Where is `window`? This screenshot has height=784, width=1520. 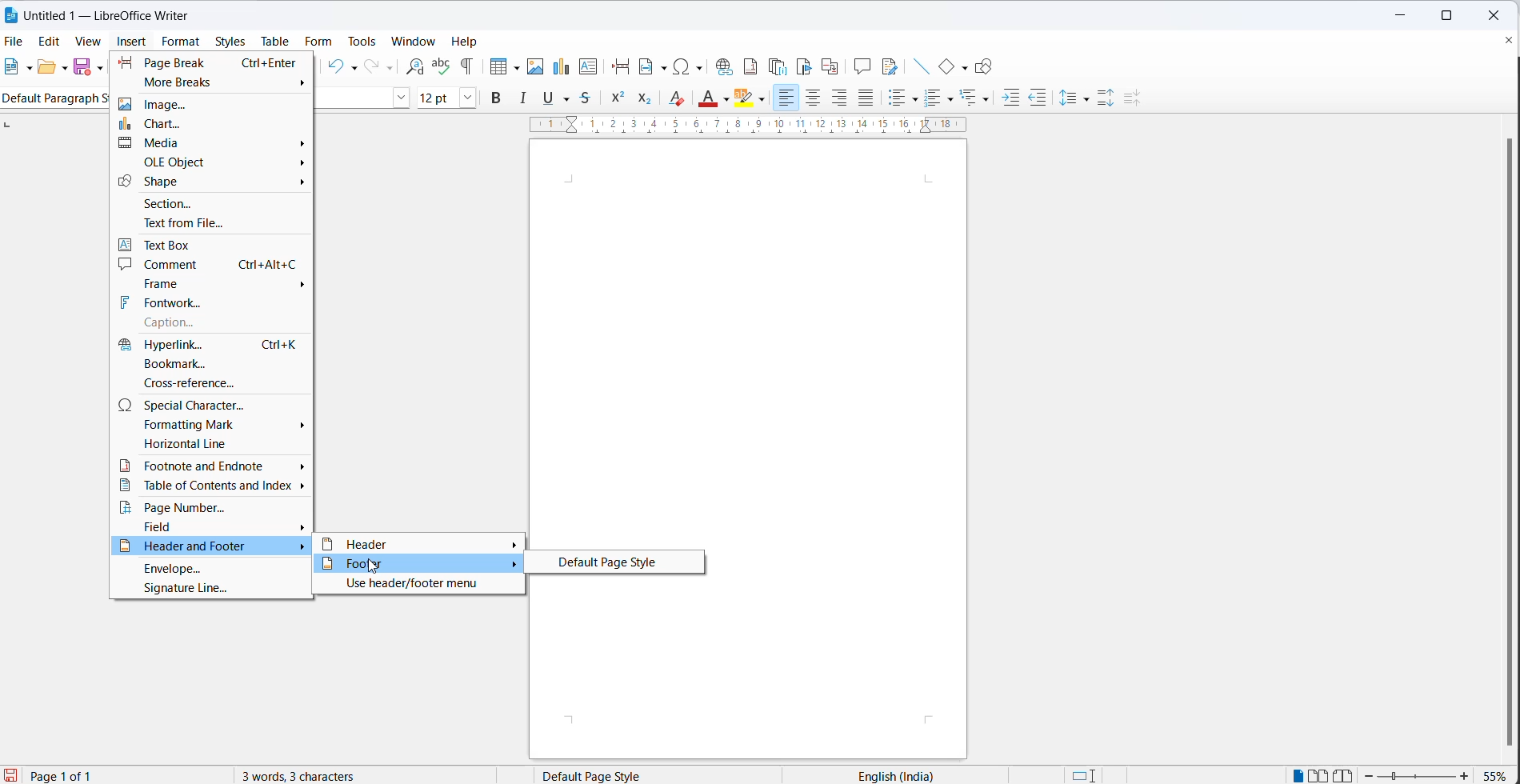 window is located at coordinates (414, 42).